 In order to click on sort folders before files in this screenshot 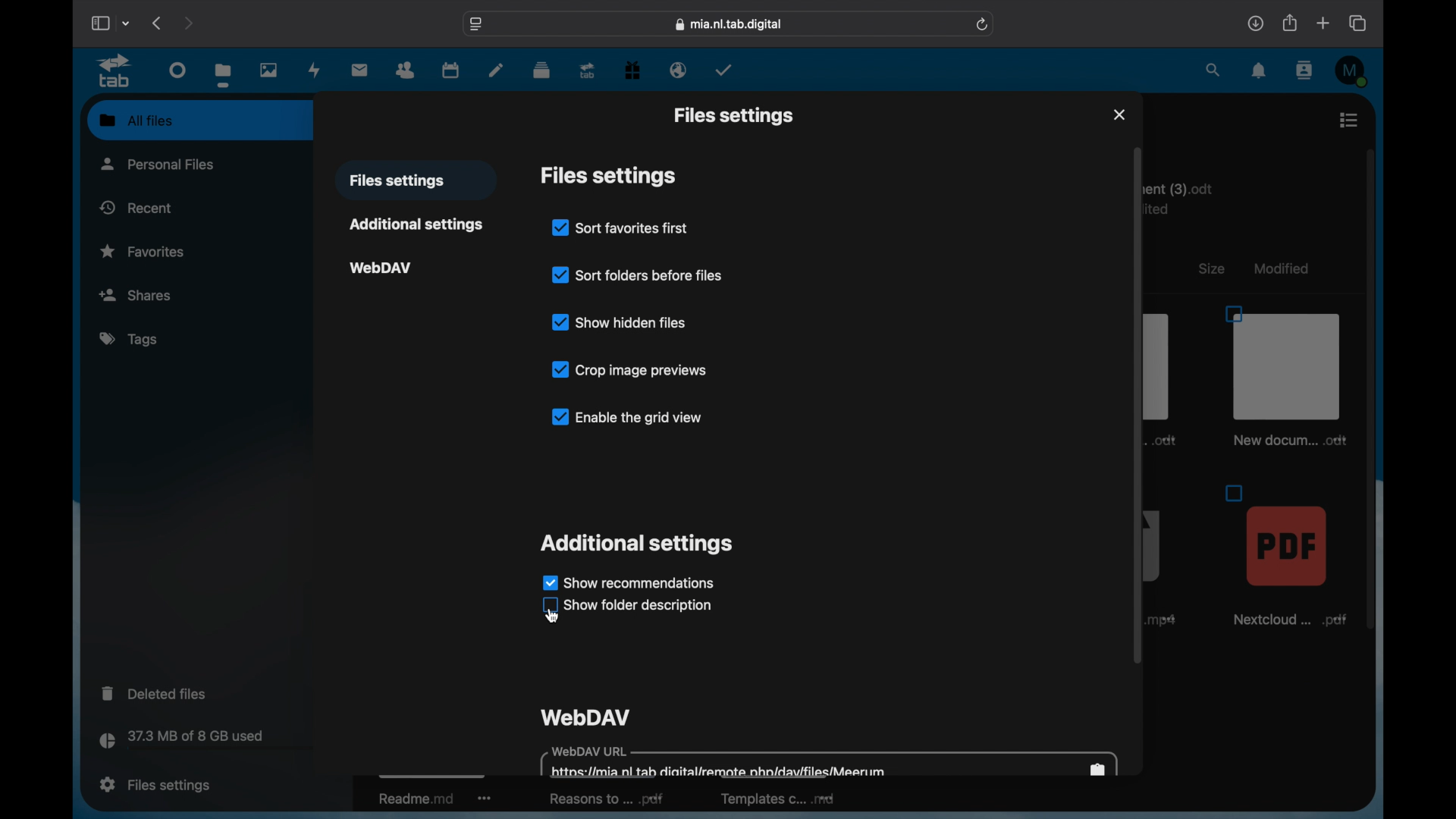, I will do `click(637, 275)`.